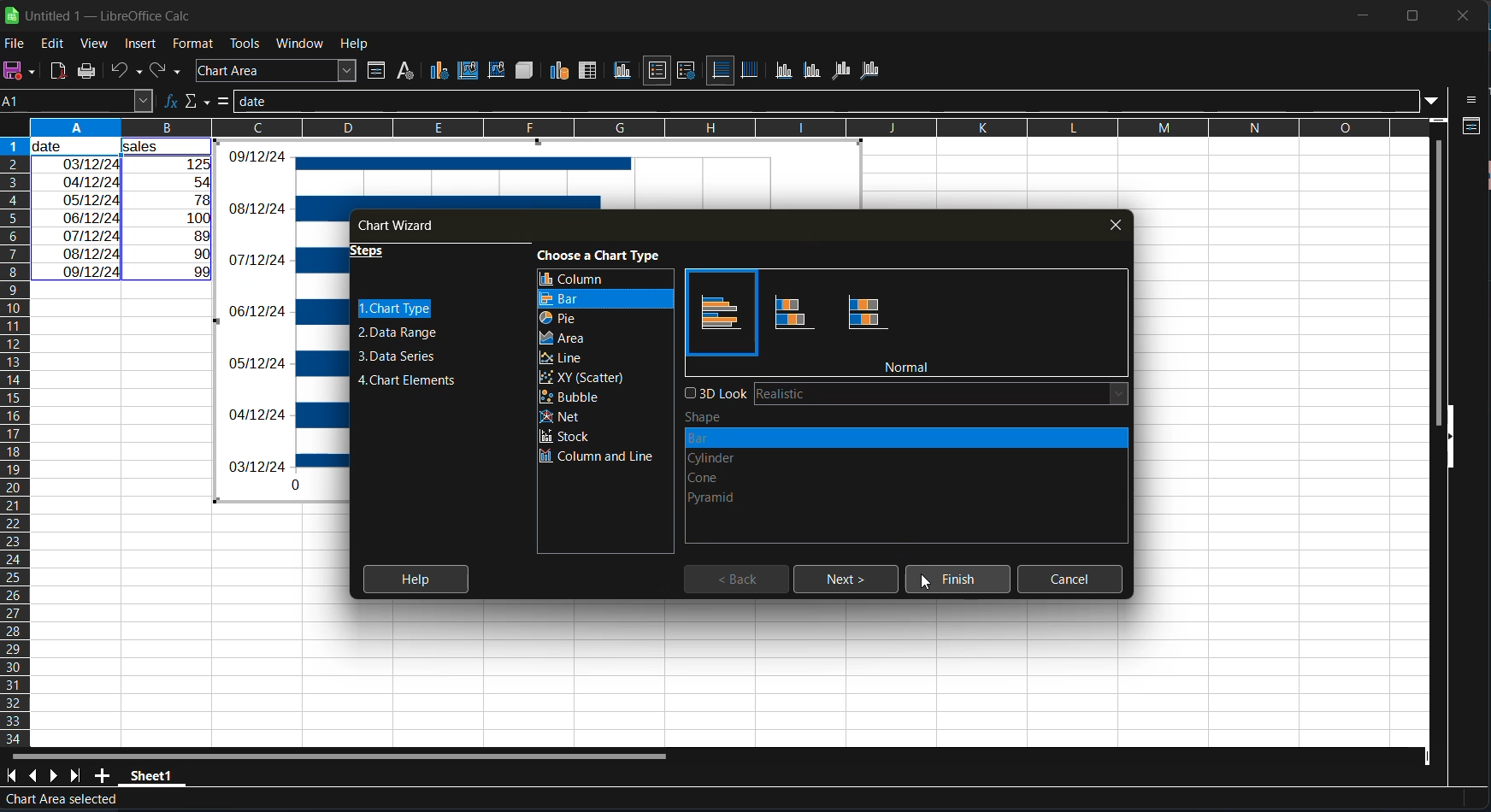 This screenshot has height=812, width=1491. Describe the element at coordinates (280, 70) in the screenshot. I see `select chart element` at that location.